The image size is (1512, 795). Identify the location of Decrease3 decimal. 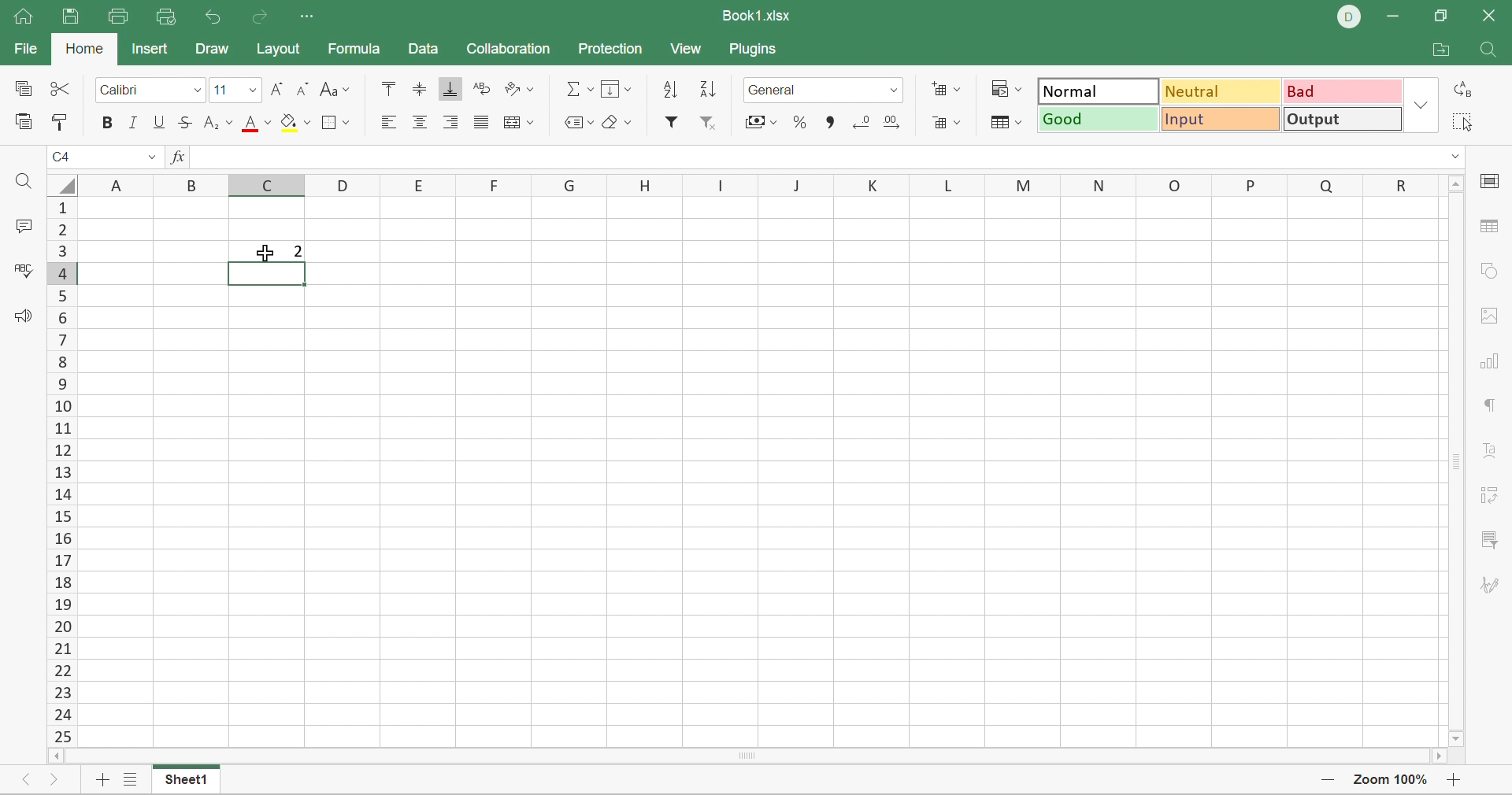
(863, 120).